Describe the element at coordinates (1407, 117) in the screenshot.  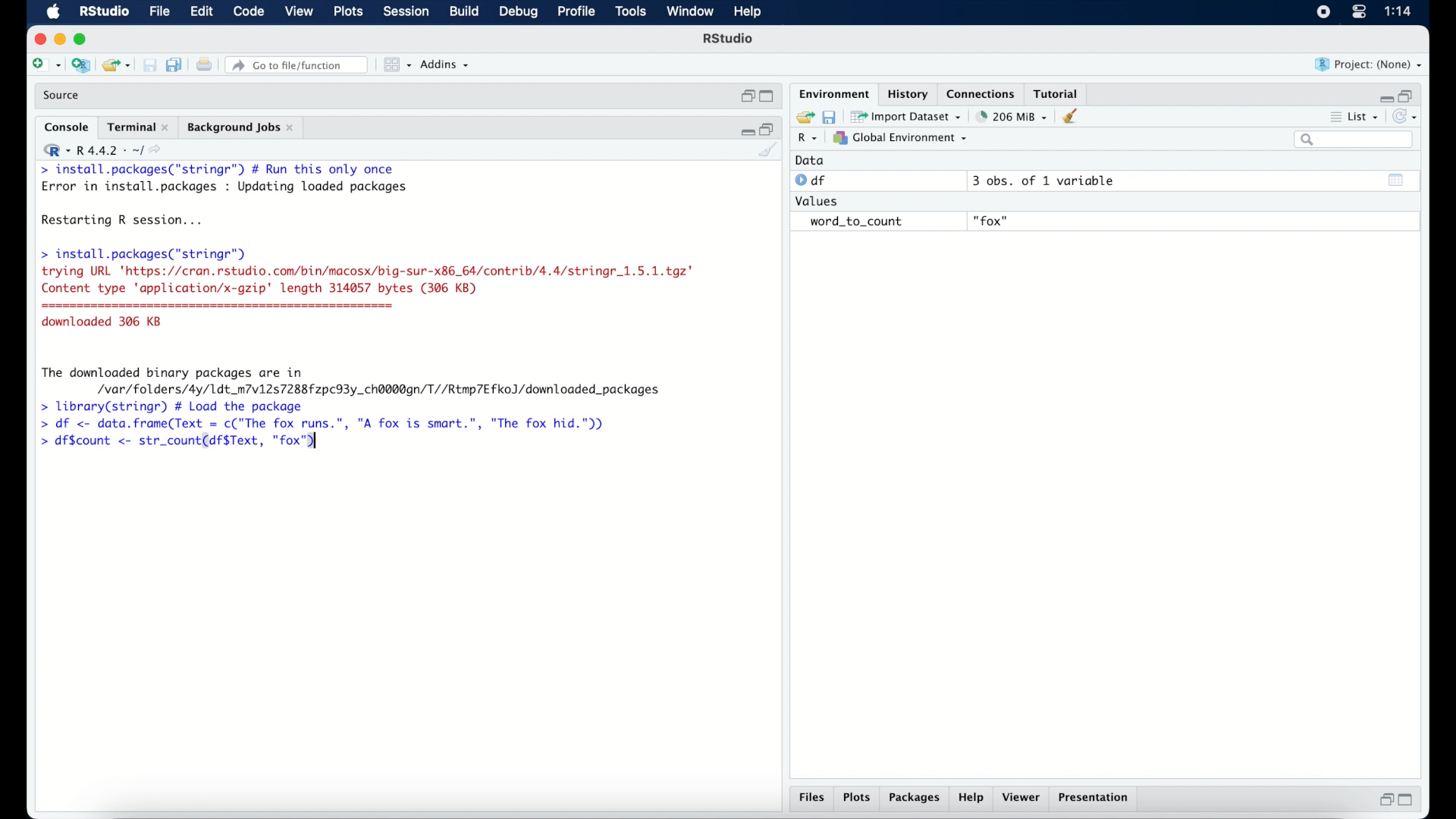
I see `refresh` at that location.